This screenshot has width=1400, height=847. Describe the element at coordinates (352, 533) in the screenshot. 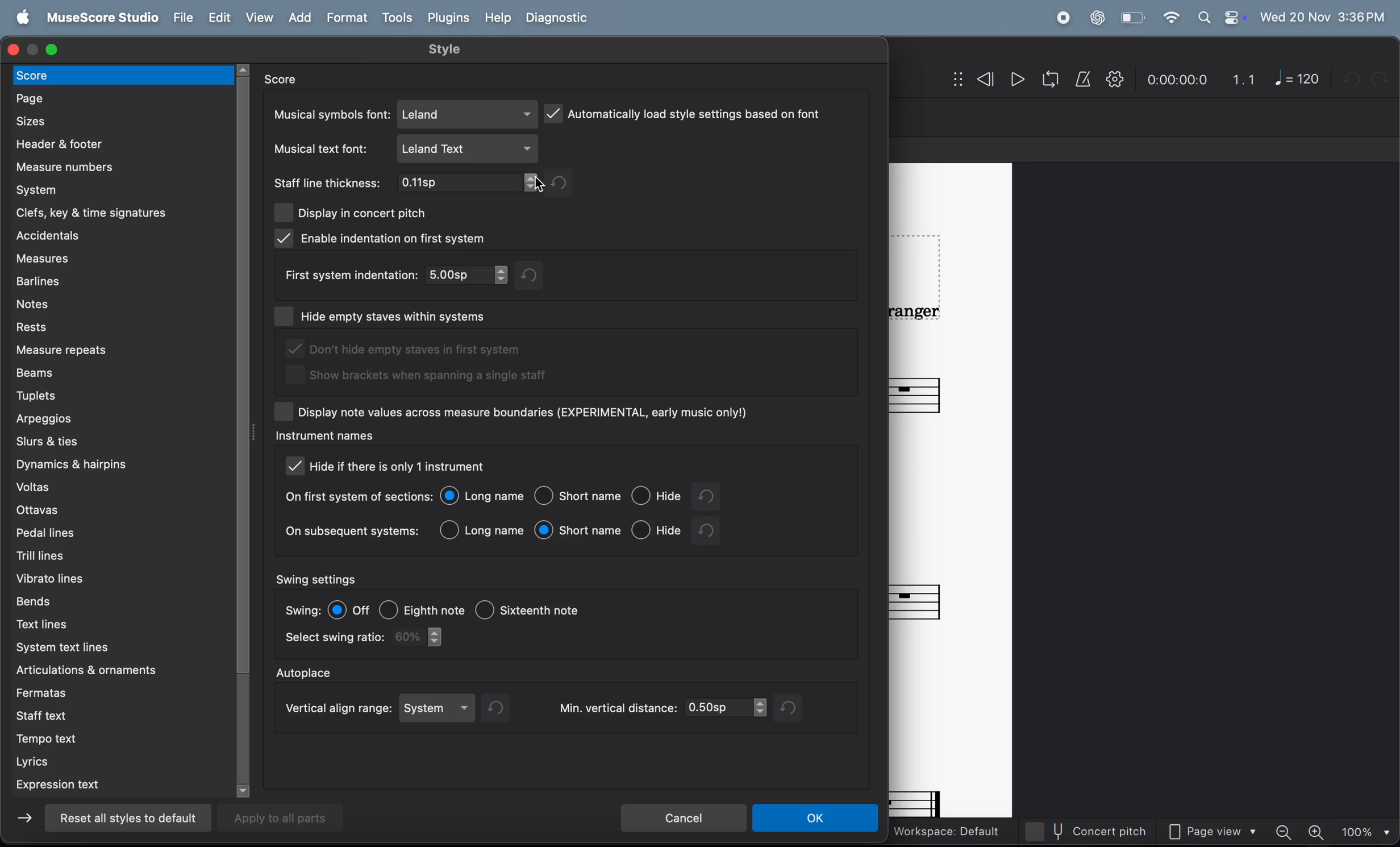

I see `on subsequwnt system` at that location.